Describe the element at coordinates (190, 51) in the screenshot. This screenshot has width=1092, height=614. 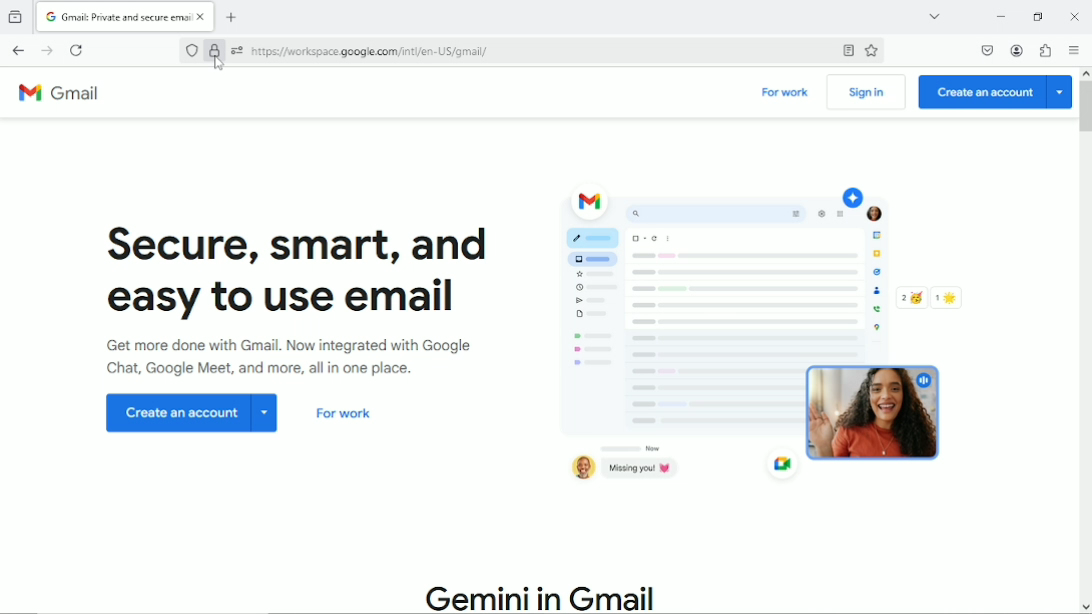
I see `No trackers known to firefox were detected on this page` at that location.